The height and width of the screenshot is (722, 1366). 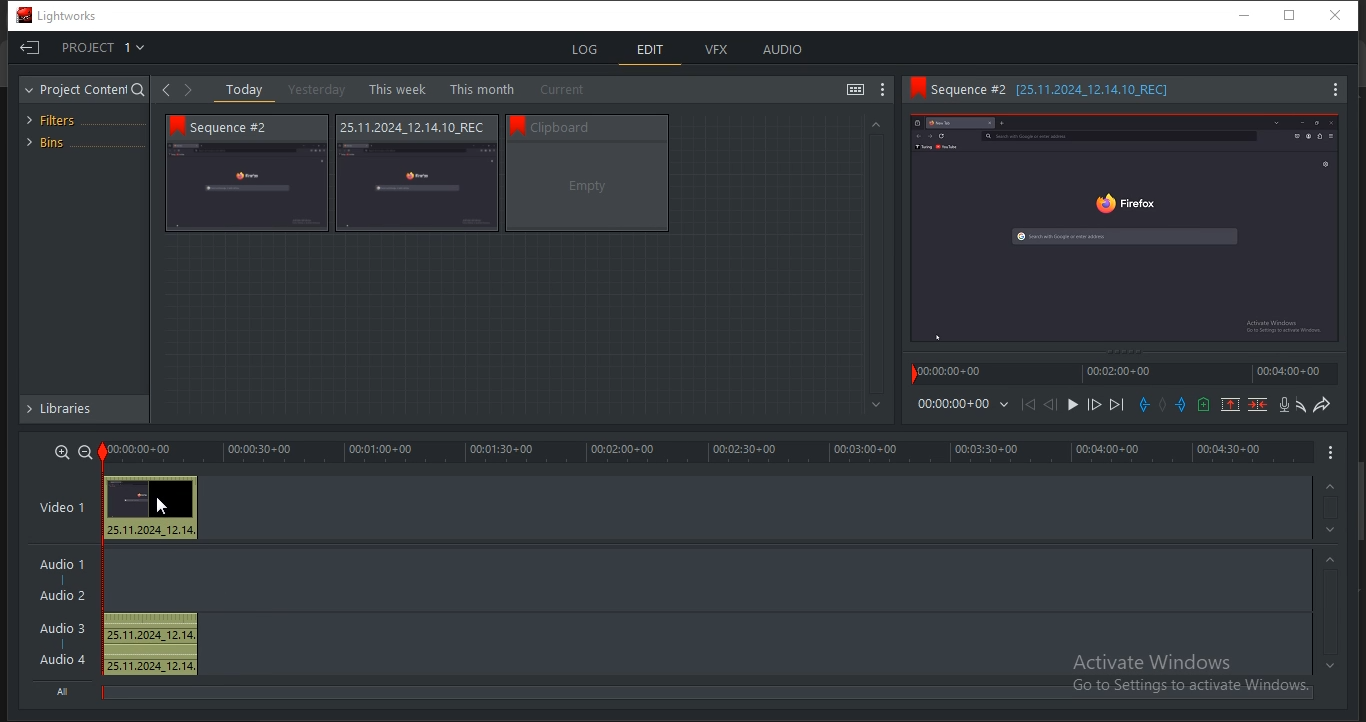 I want to click on Forward, so click(x=186, y=93).